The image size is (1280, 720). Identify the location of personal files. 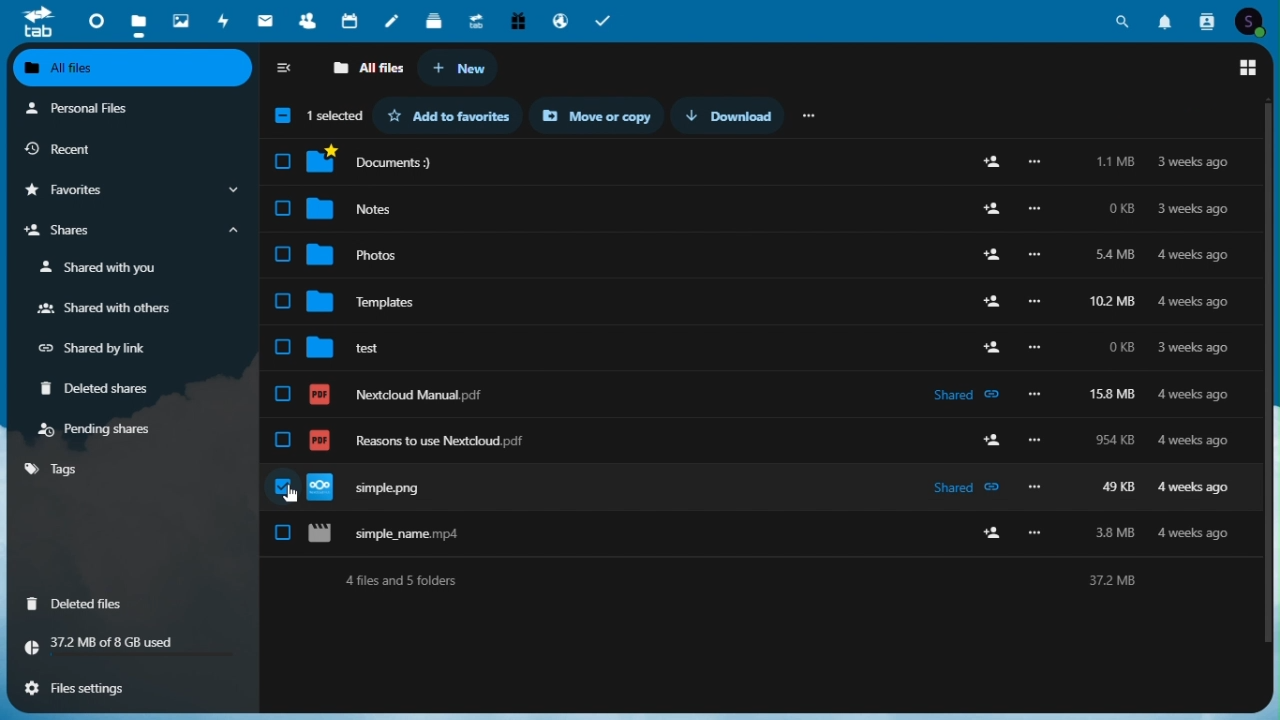
(120, 110).